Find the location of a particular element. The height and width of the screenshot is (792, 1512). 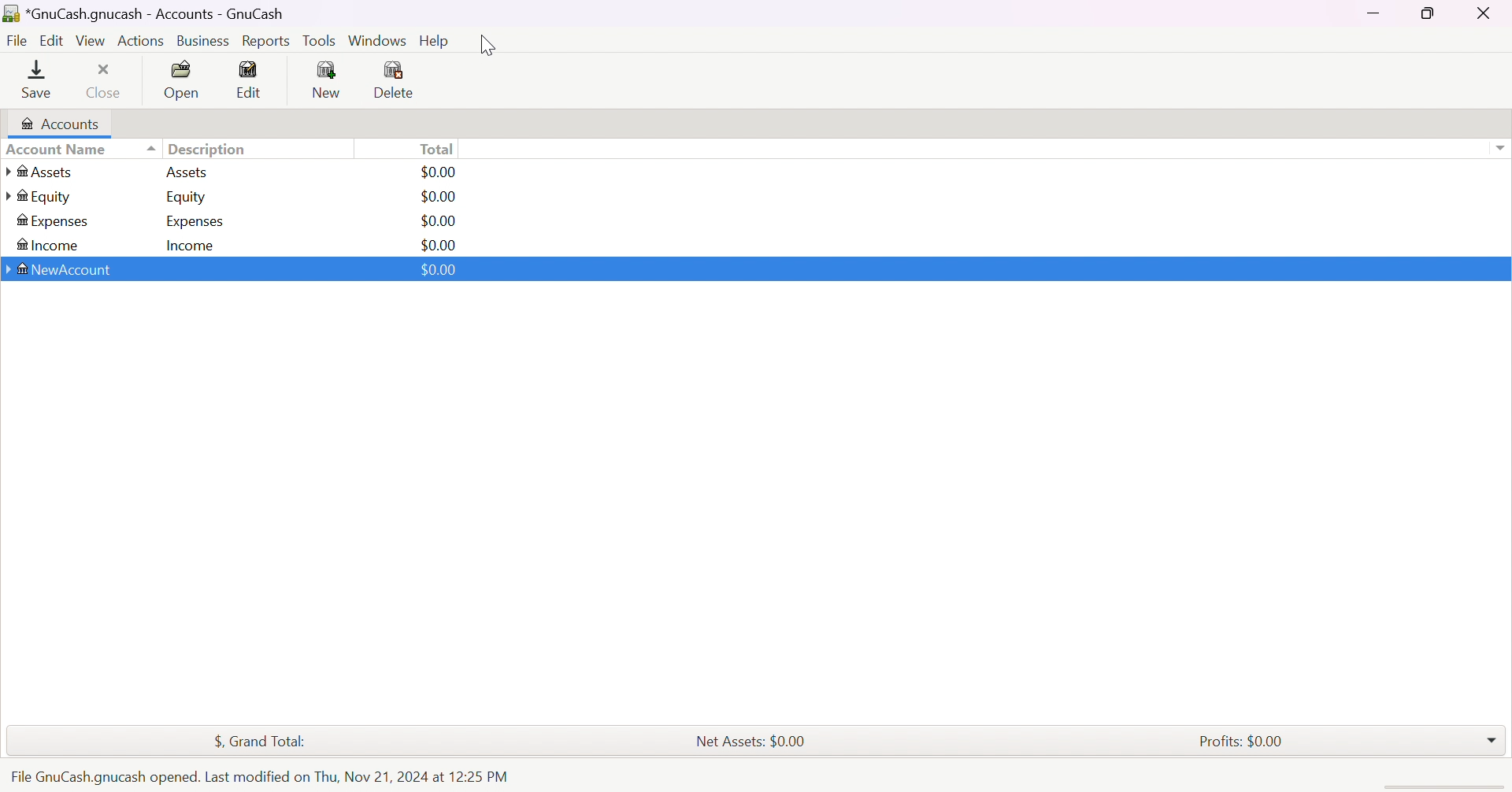

Help is located at coordinates (436, 42).